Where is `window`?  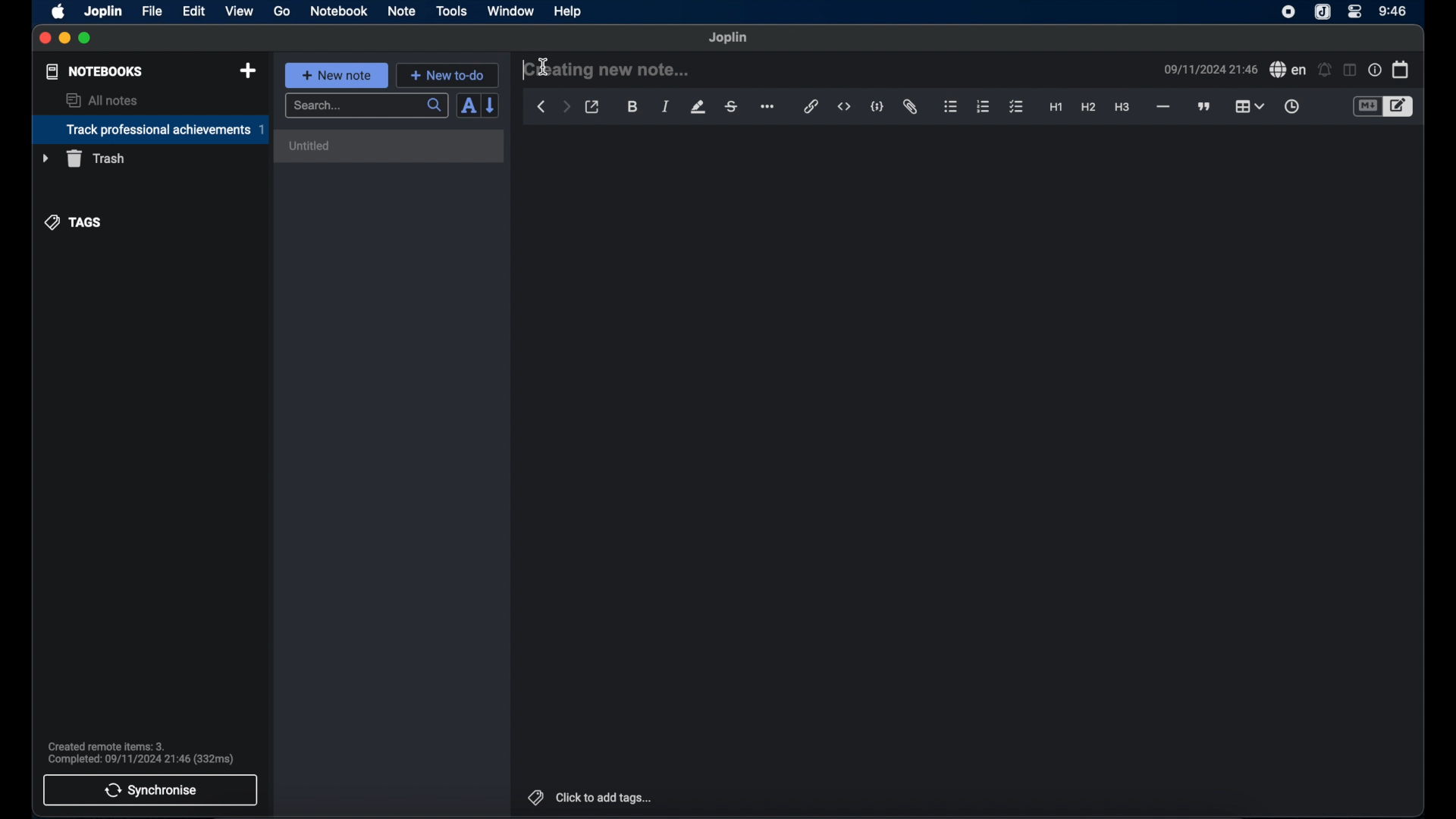
window is located at coordinates (510, 11).